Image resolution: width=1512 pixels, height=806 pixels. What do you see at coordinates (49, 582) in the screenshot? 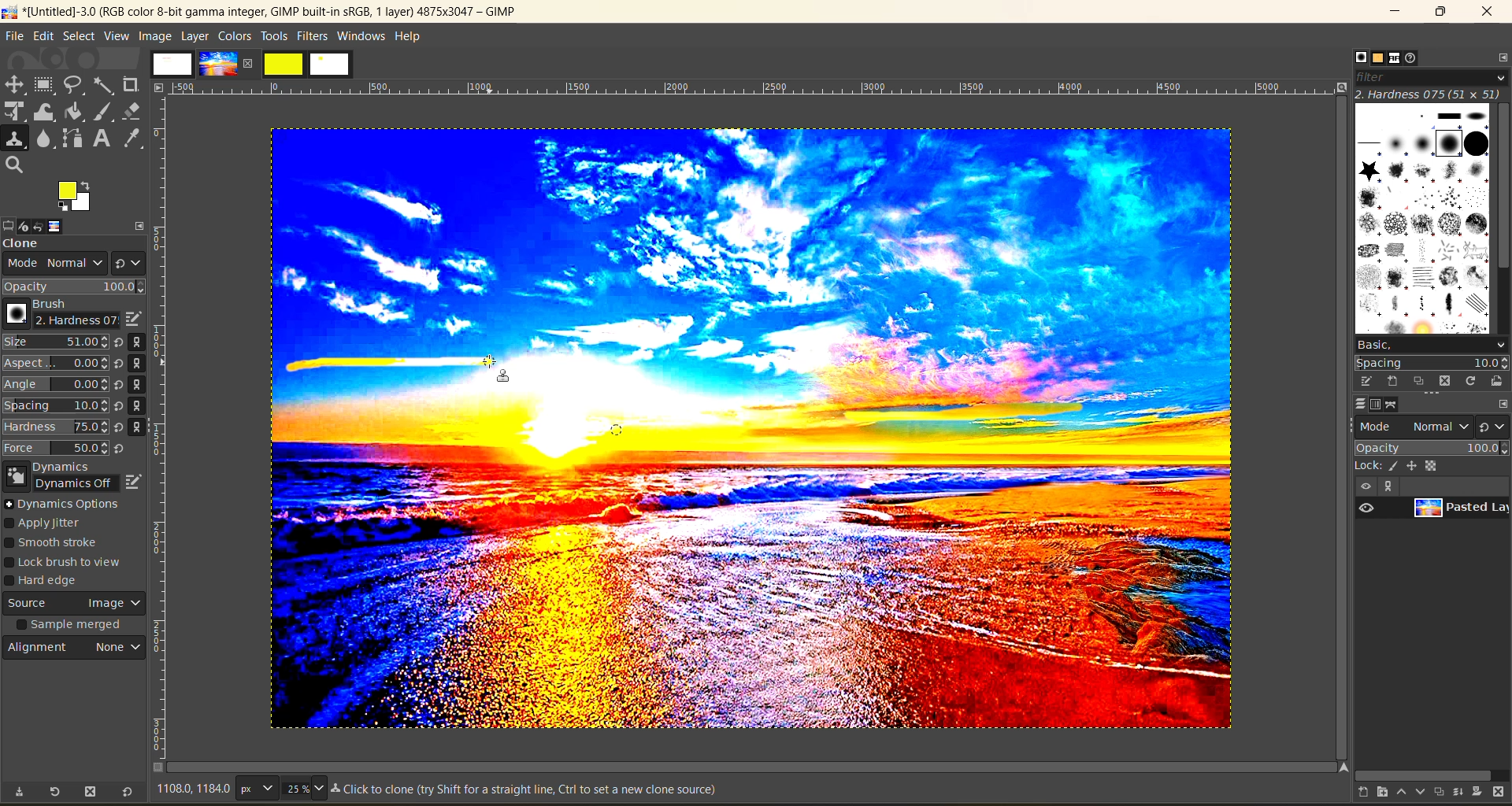
I see `hard edge` at bounding box center [49, 582].